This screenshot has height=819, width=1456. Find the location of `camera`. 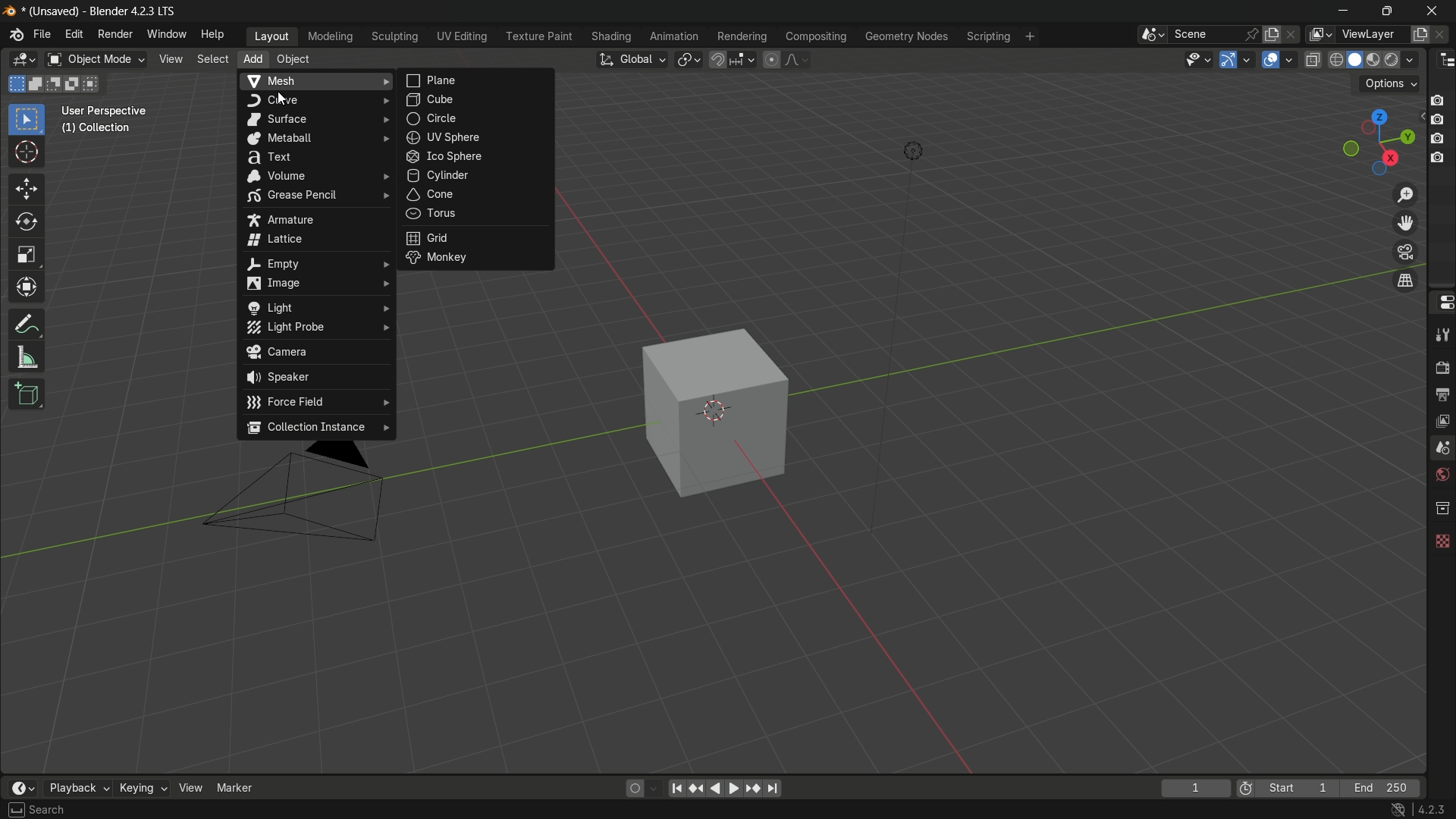

camera is located at coordinates (318, 353).